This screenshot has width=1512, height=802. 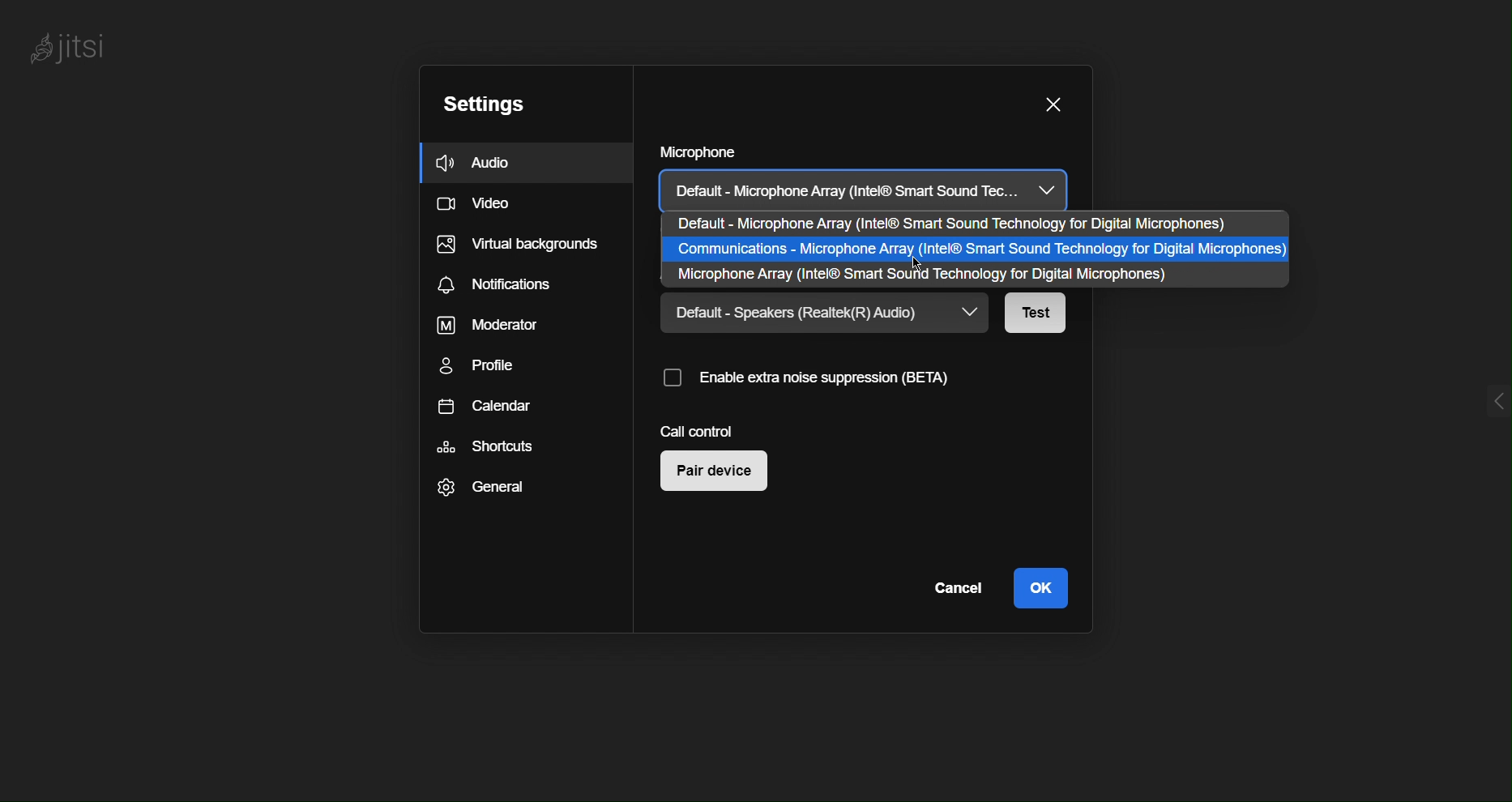 I want to click on Calendar, so click(x=489, y=411).